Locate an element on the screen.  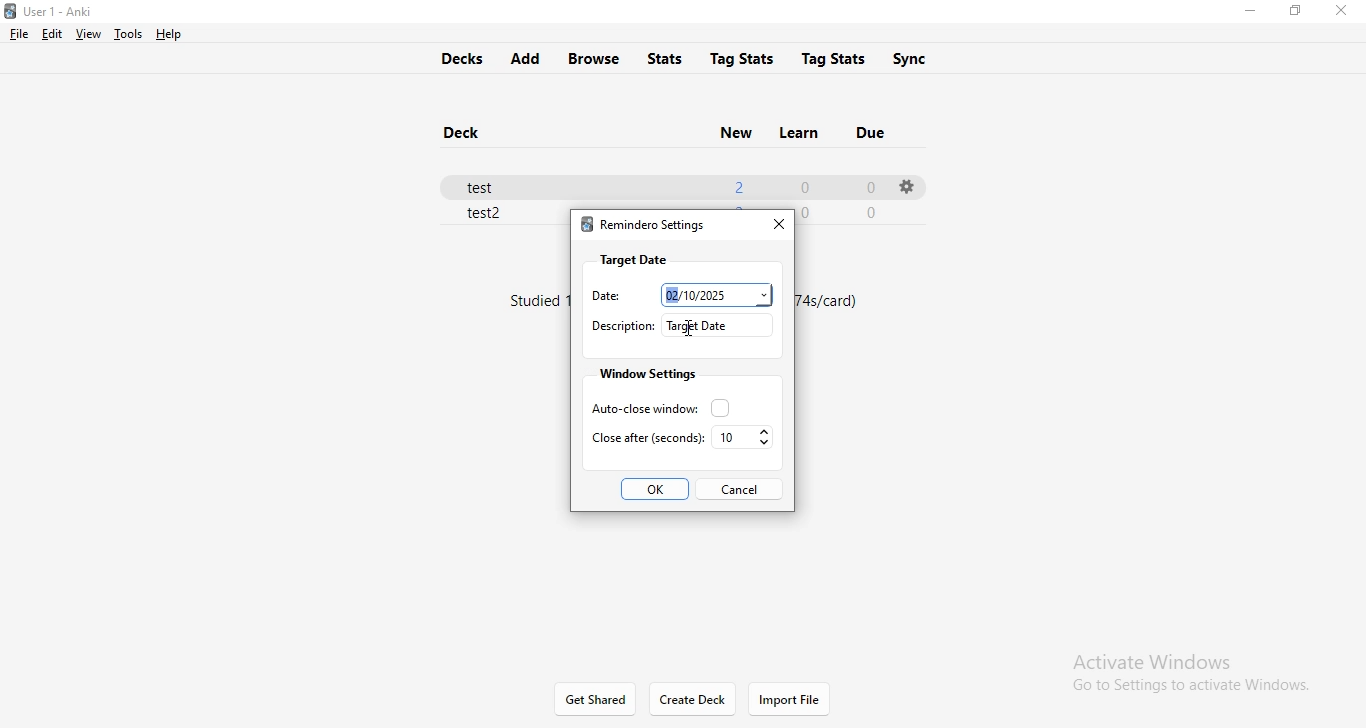
ok is located at coordinates (657, 490).